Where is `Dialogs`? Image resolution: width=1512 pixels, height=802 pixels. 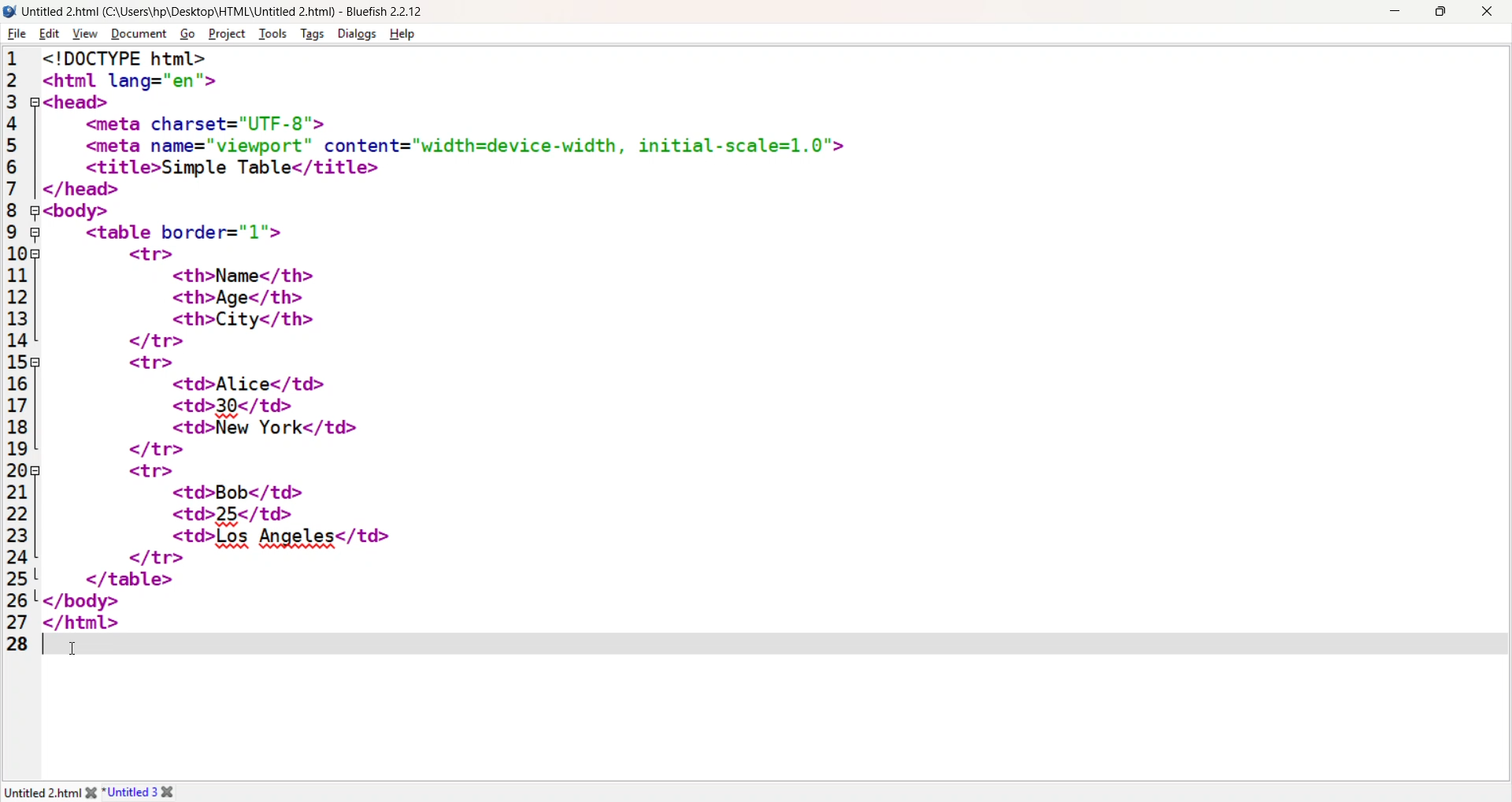 Dialogs is located at coordinates (355, 34).